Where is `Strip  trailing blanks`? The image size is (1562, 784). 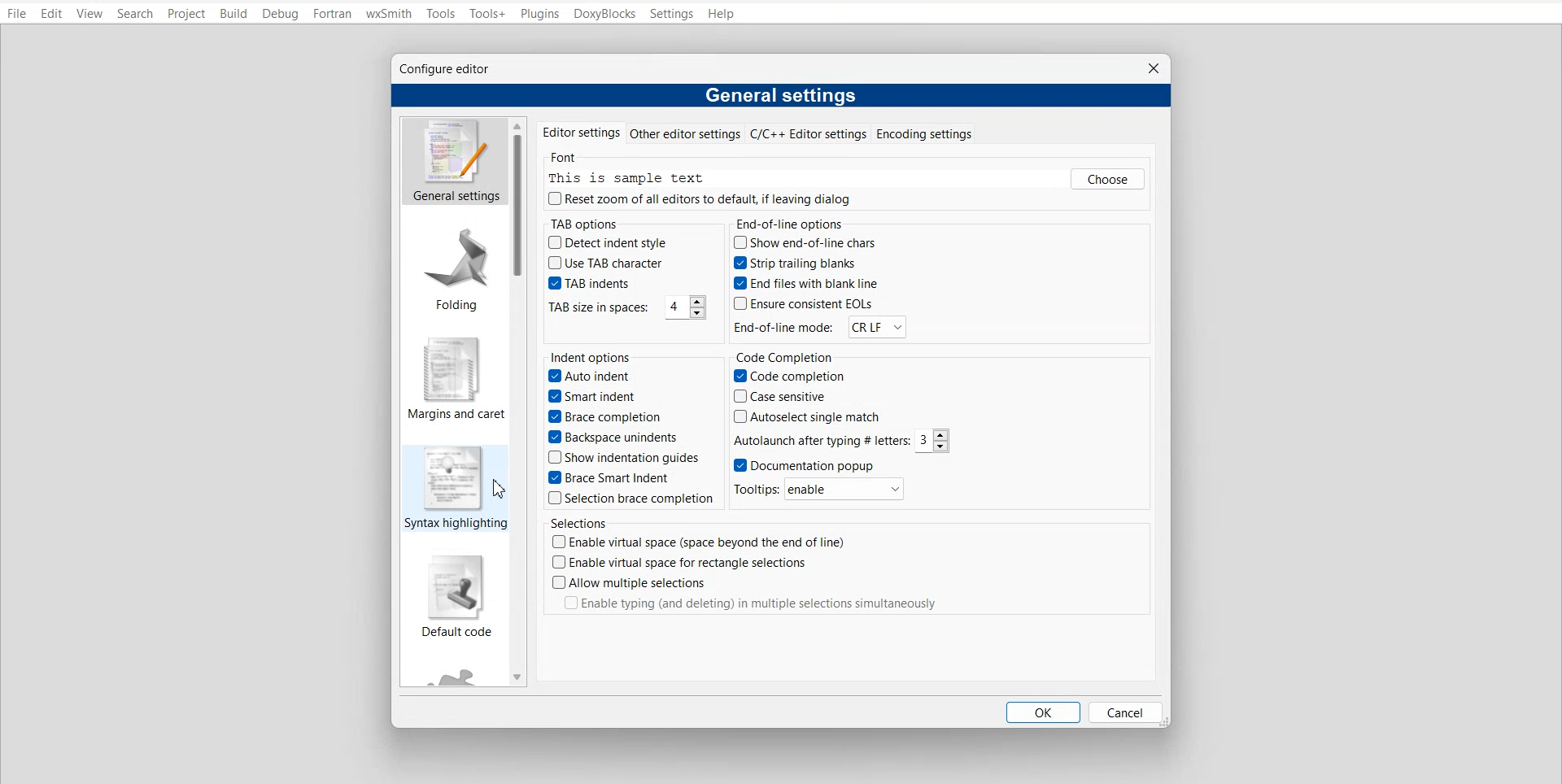
Strip  trailing blanks is located at coordinates (795, 264).